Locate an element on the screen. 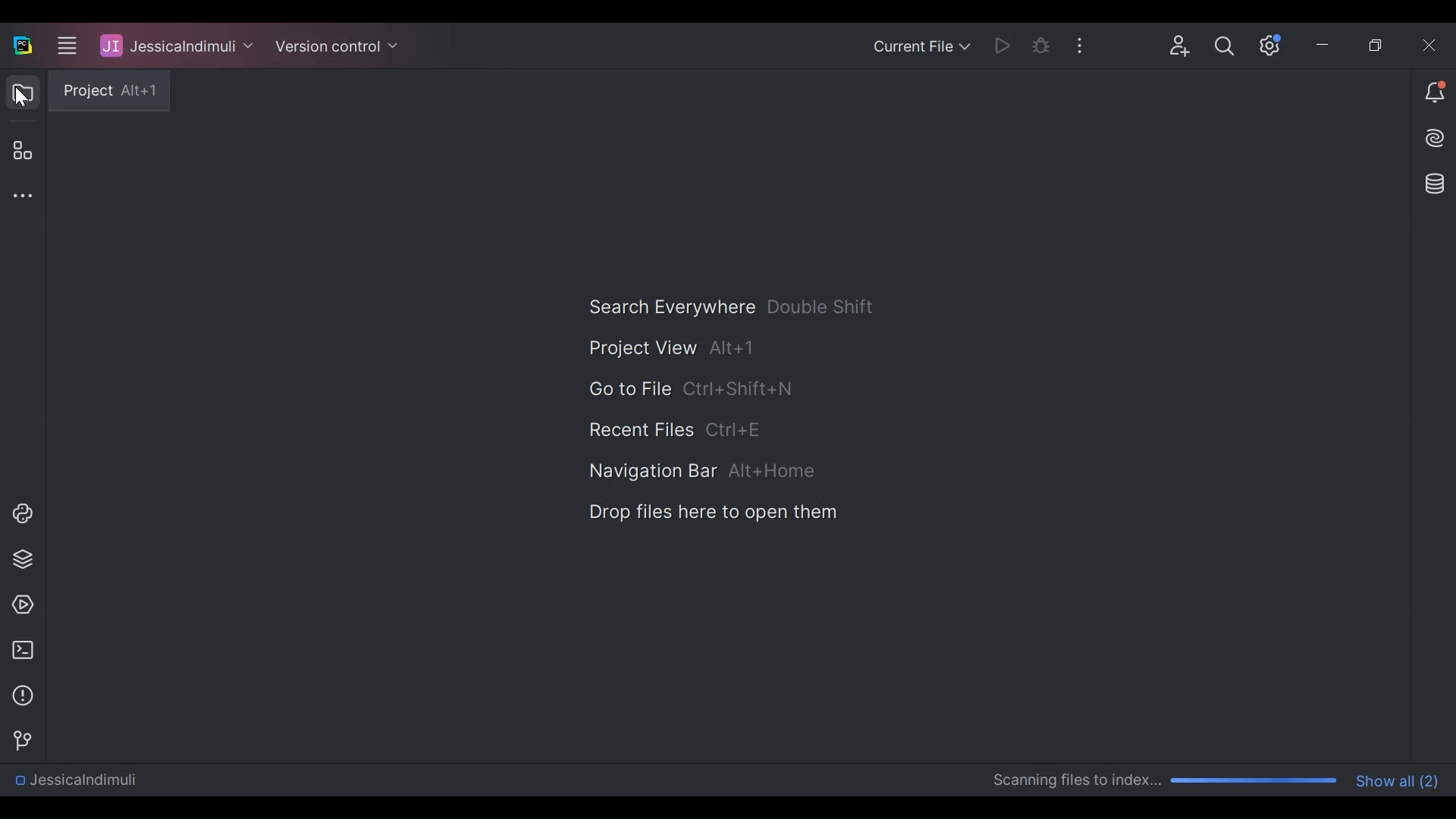  Cursor is located at coordinates (20, 99).